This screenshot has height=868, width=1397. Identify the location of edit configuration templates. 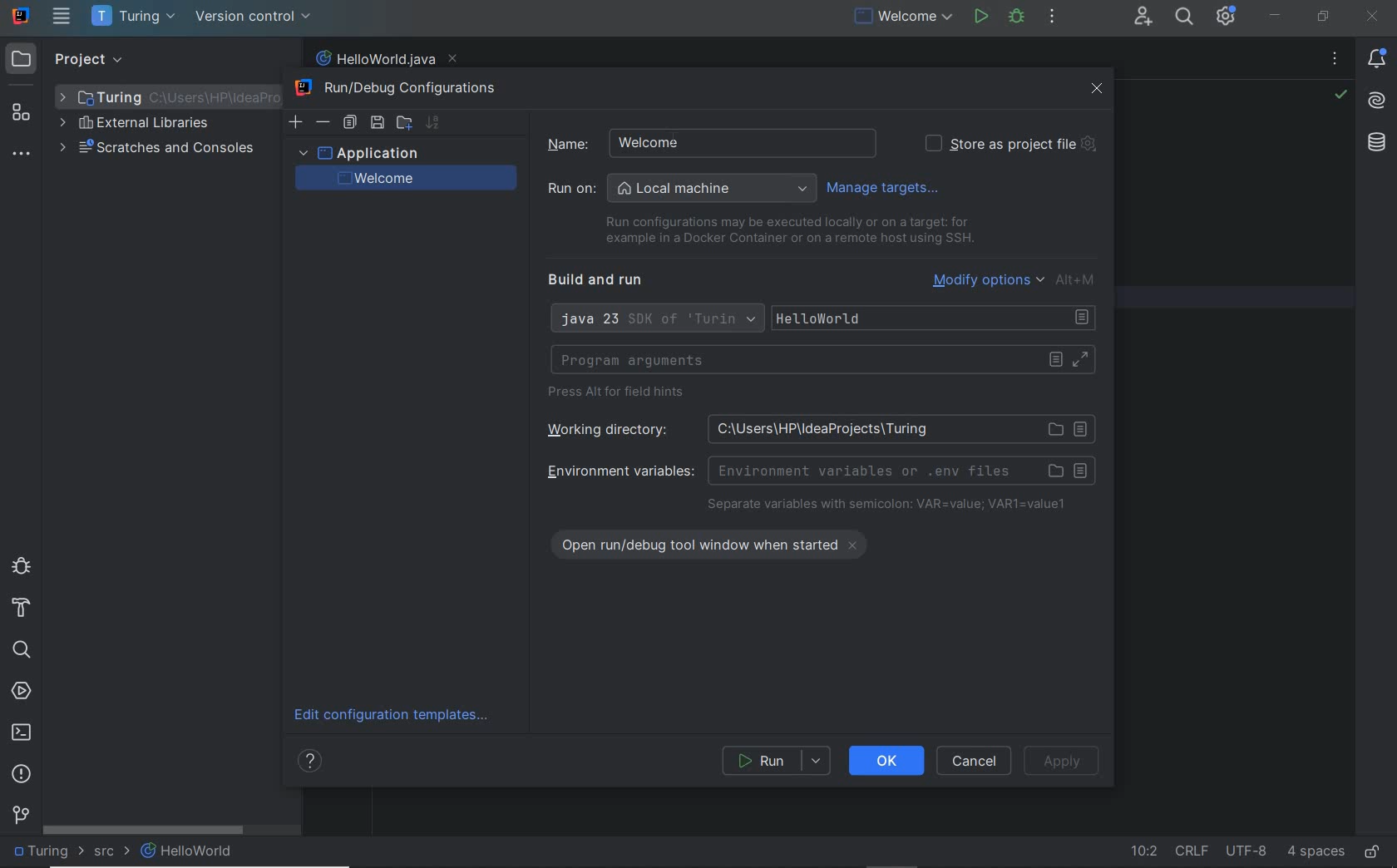
(397, 716).